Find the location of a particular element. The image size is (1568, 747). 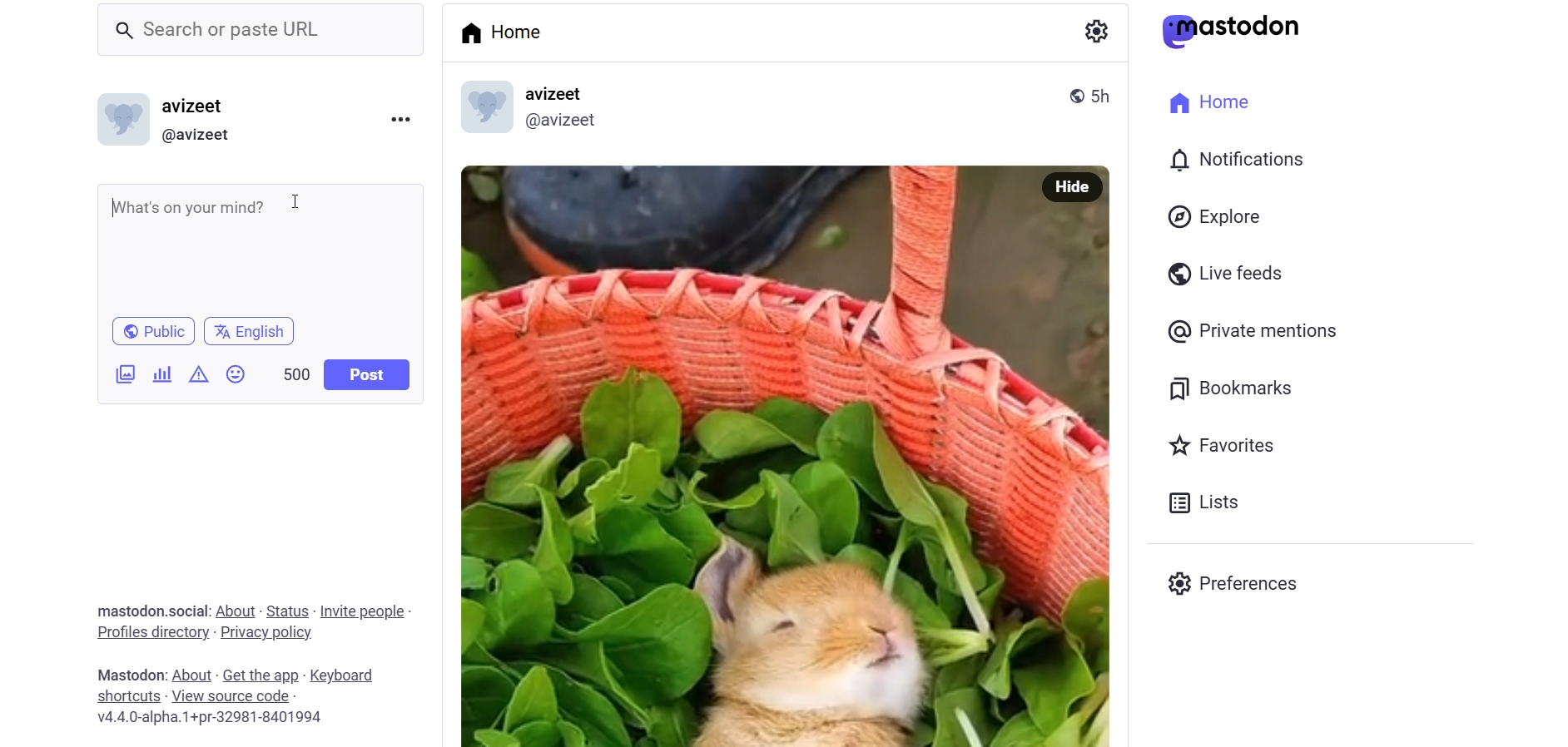

id is located at coordinates (568, 123).